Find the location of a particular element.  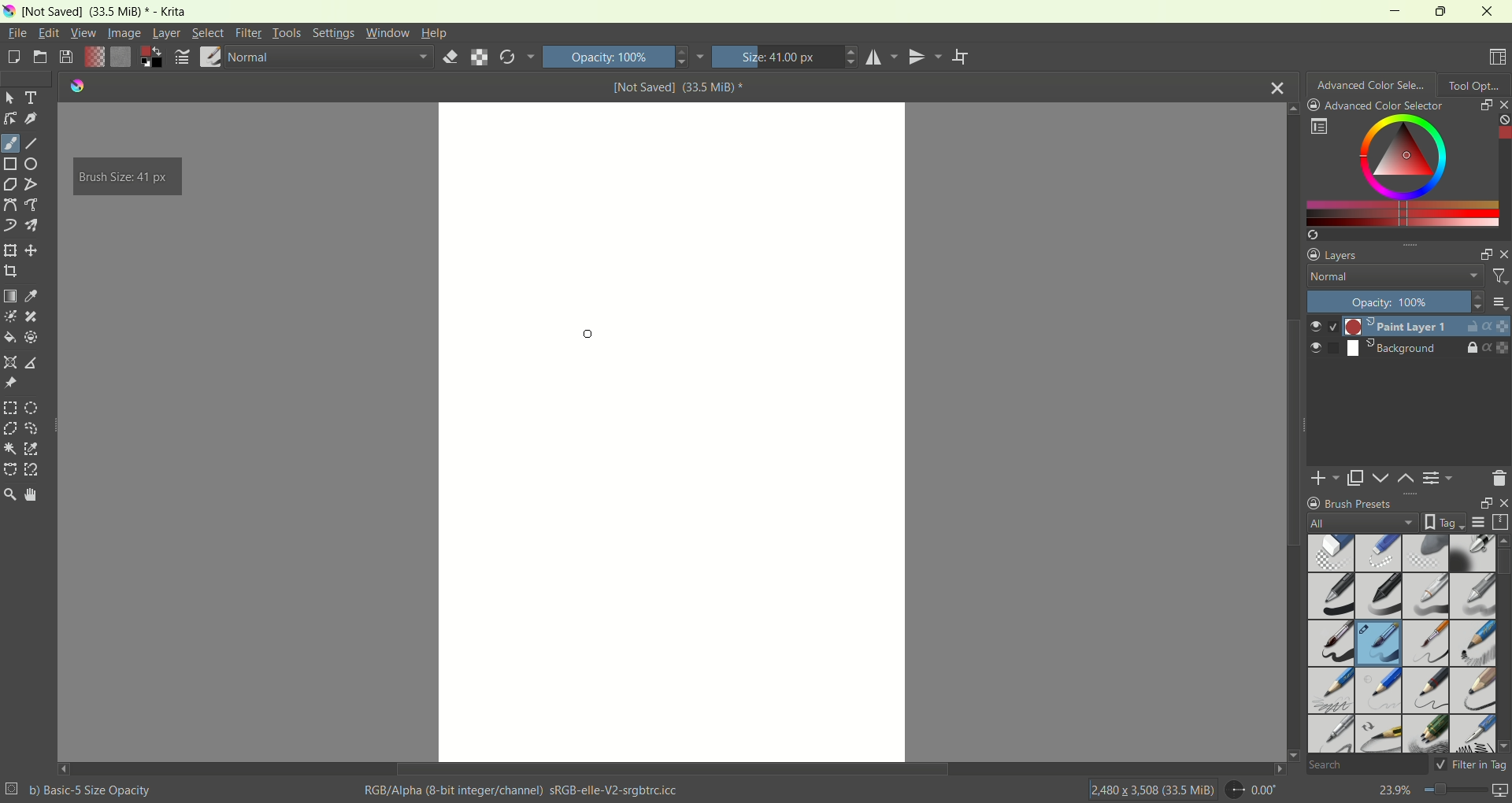

magnetic curve selection is located at coordinates (33, 470).